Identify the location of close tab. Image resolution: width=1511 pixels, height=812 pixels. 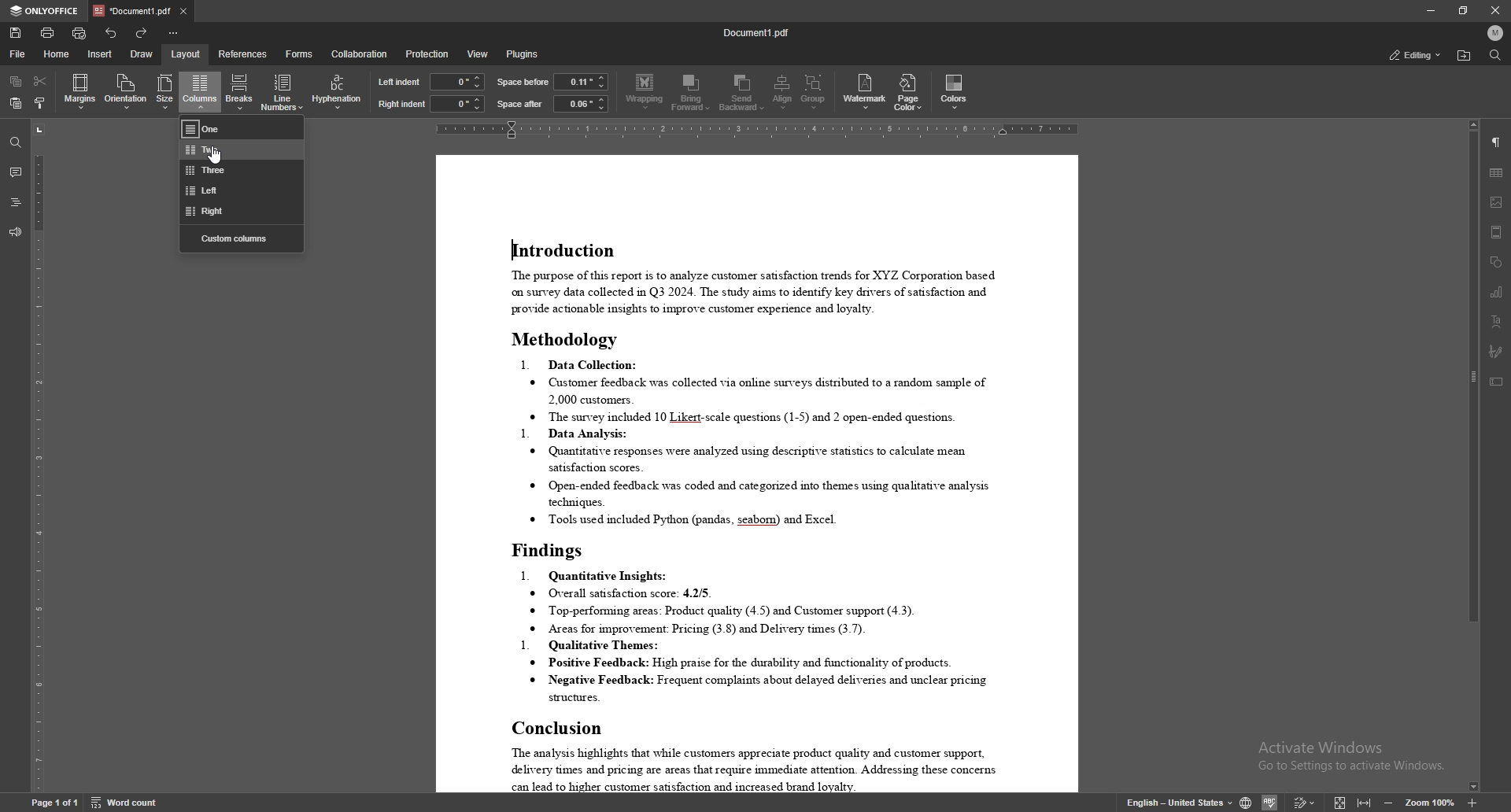
(185, 11).